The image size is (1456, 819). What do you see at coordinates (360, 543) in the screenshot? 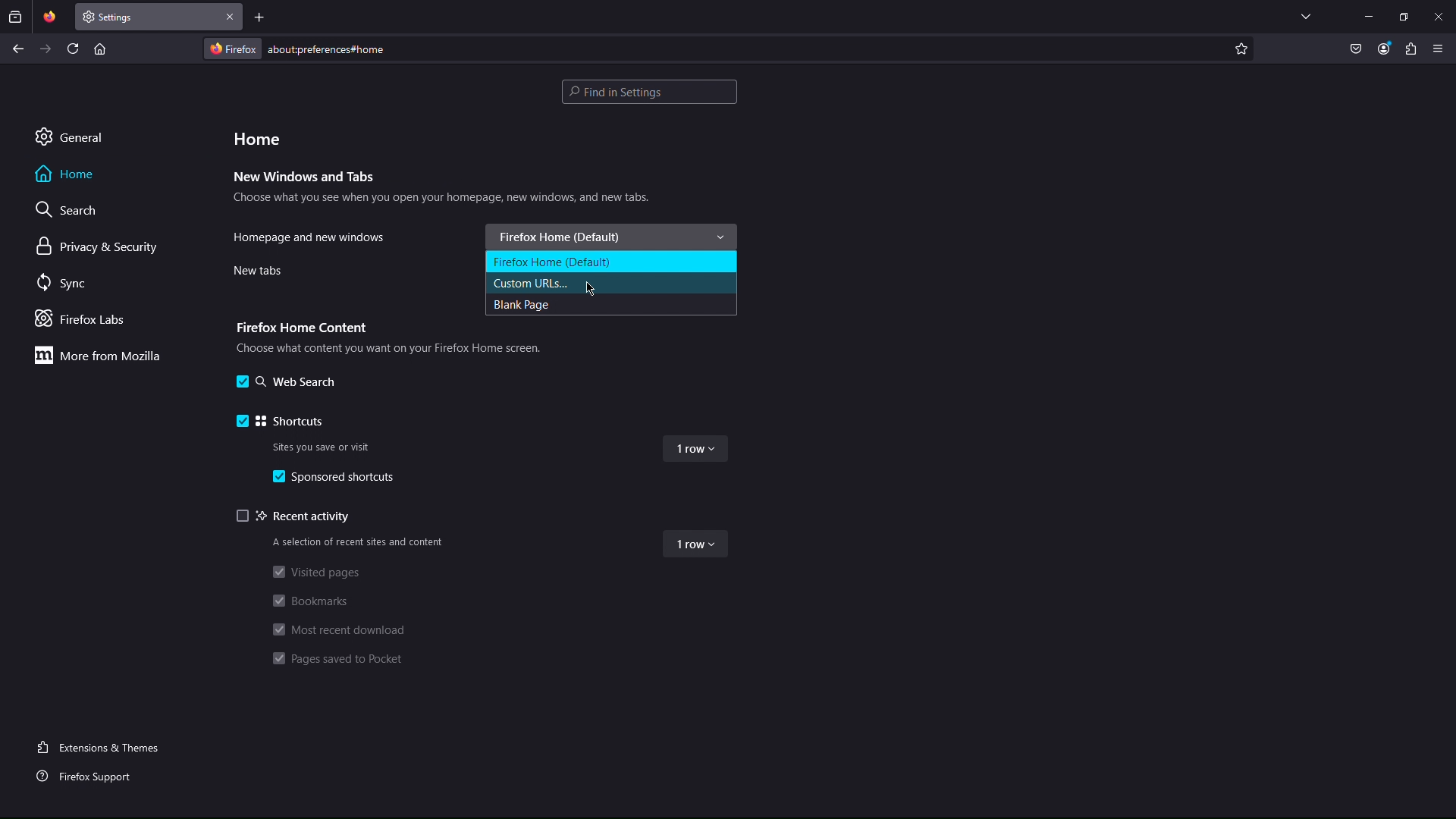
I see `A selection of recent sites and content` at bounding box center [360, 543].